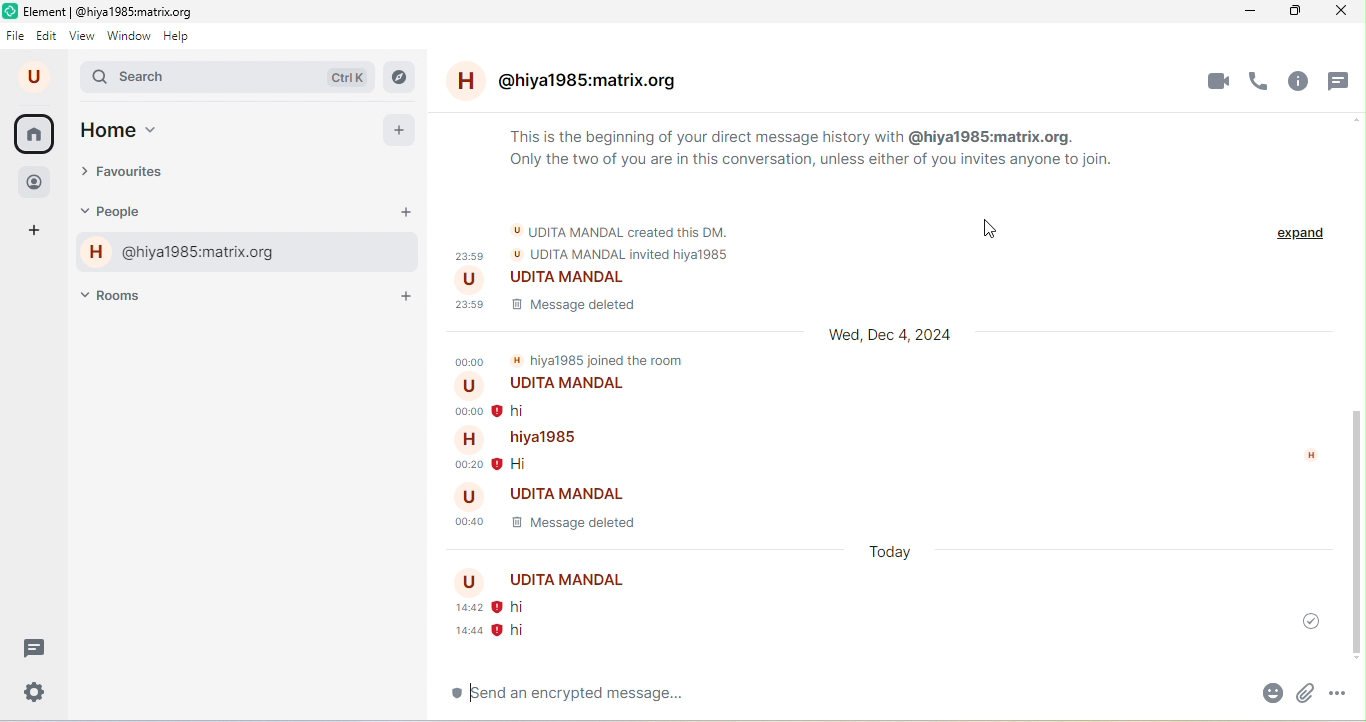 Image resolution: width=1366 pixels, height=722 pixels. I want to click on udita mandal invited hiya1985, so click(618, 252).